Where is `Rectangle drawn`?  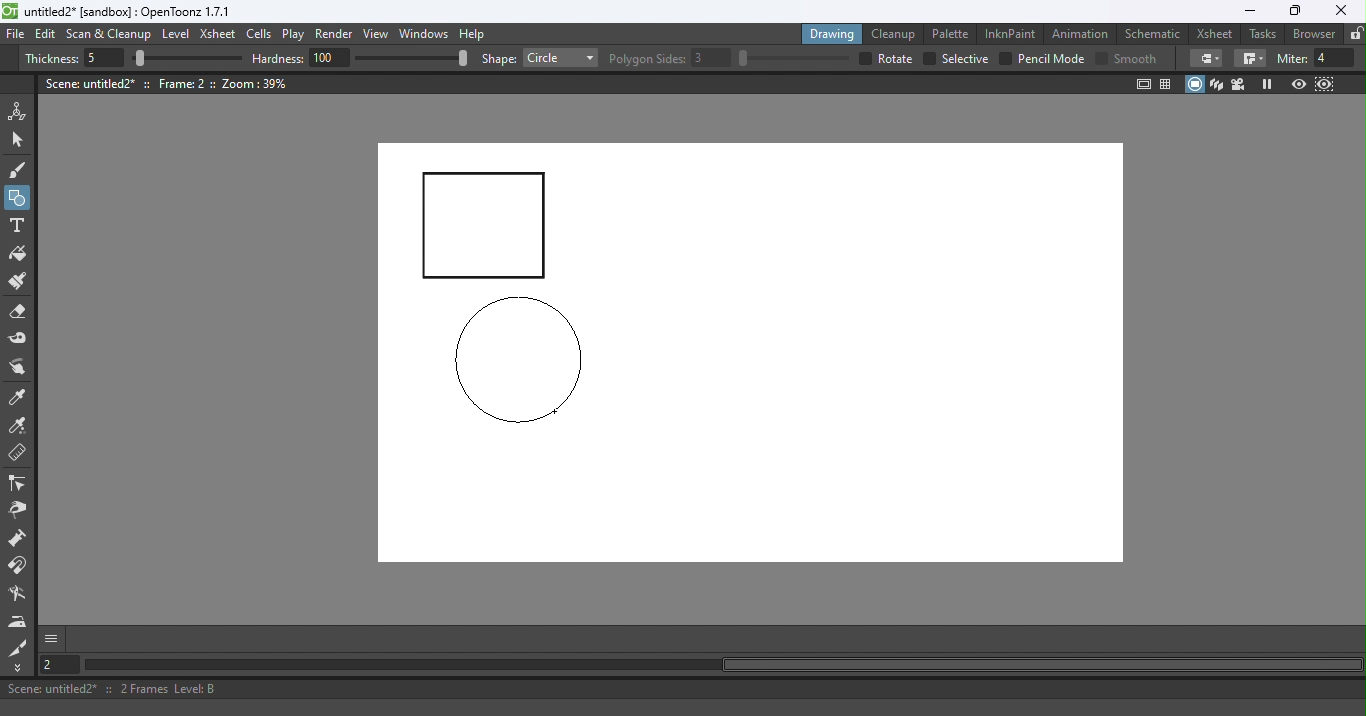
Rectangle drawn is located at coordinates (485, 227).